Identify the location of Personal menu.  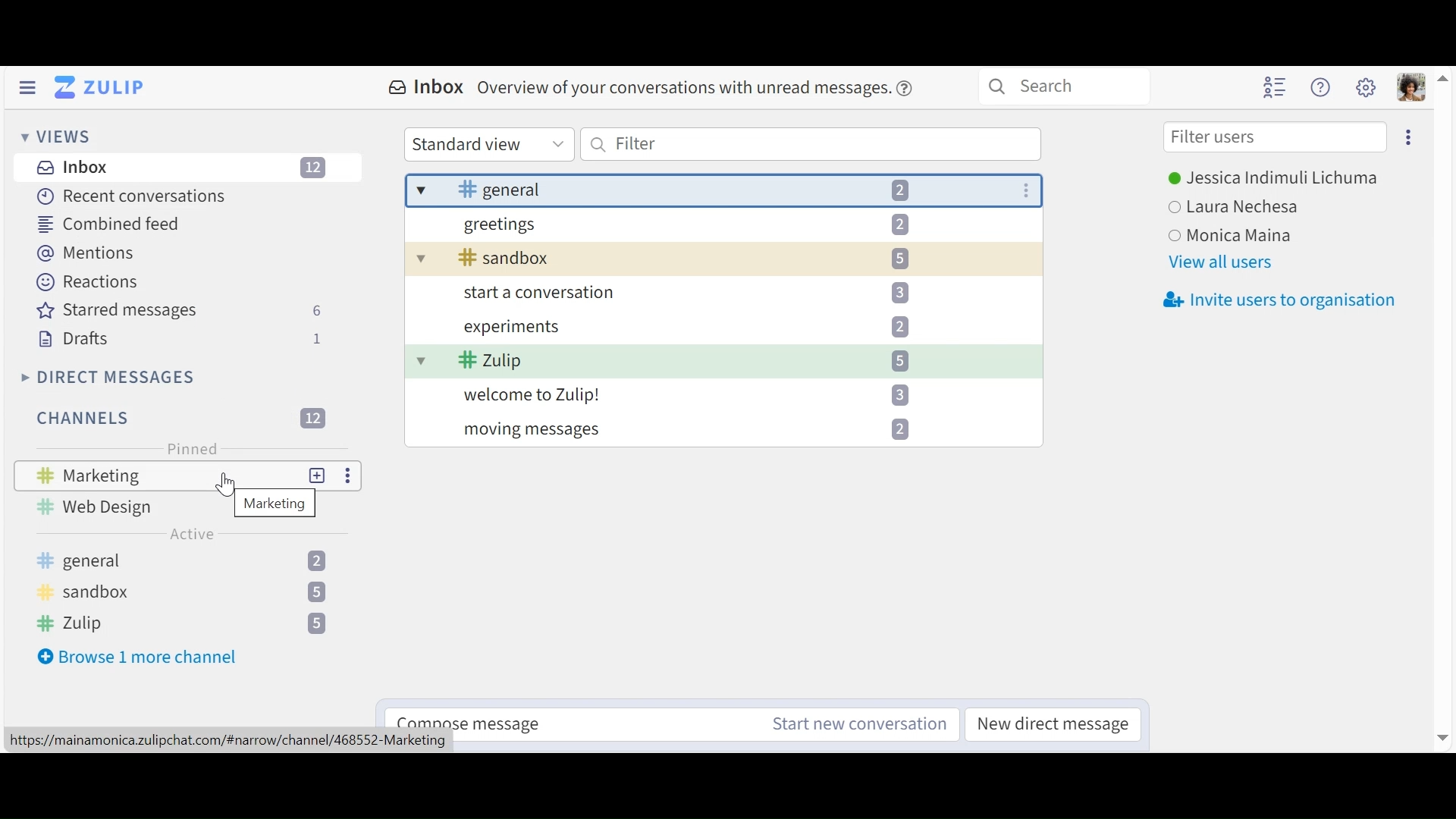
(1413, 89).